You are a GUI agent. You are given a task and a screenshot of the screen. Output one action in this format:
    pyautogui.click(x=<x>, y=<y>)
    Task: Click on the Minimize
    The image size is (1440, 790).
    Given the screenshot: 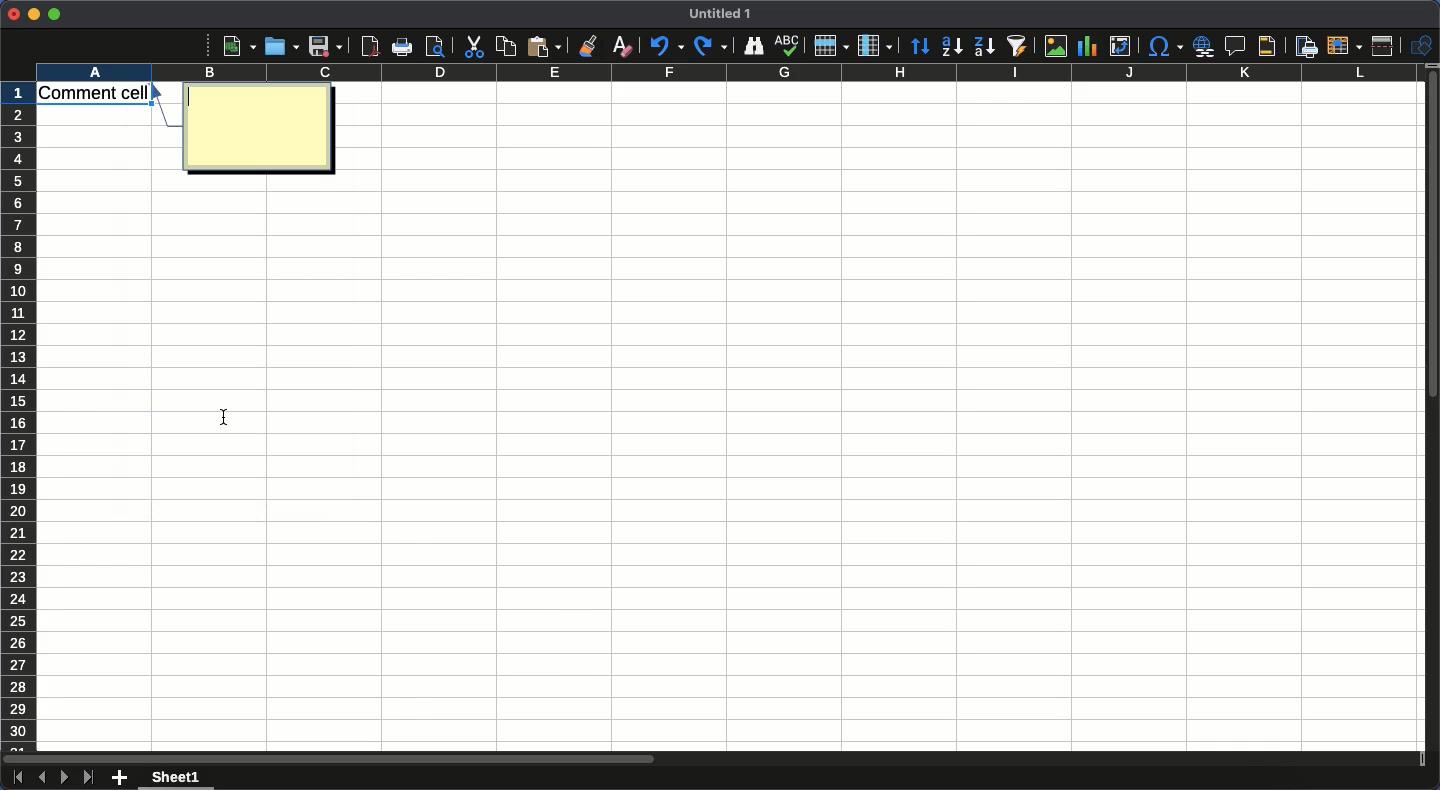 What is the action you would take?
    pyautogui.click(x=36, y=15)
    